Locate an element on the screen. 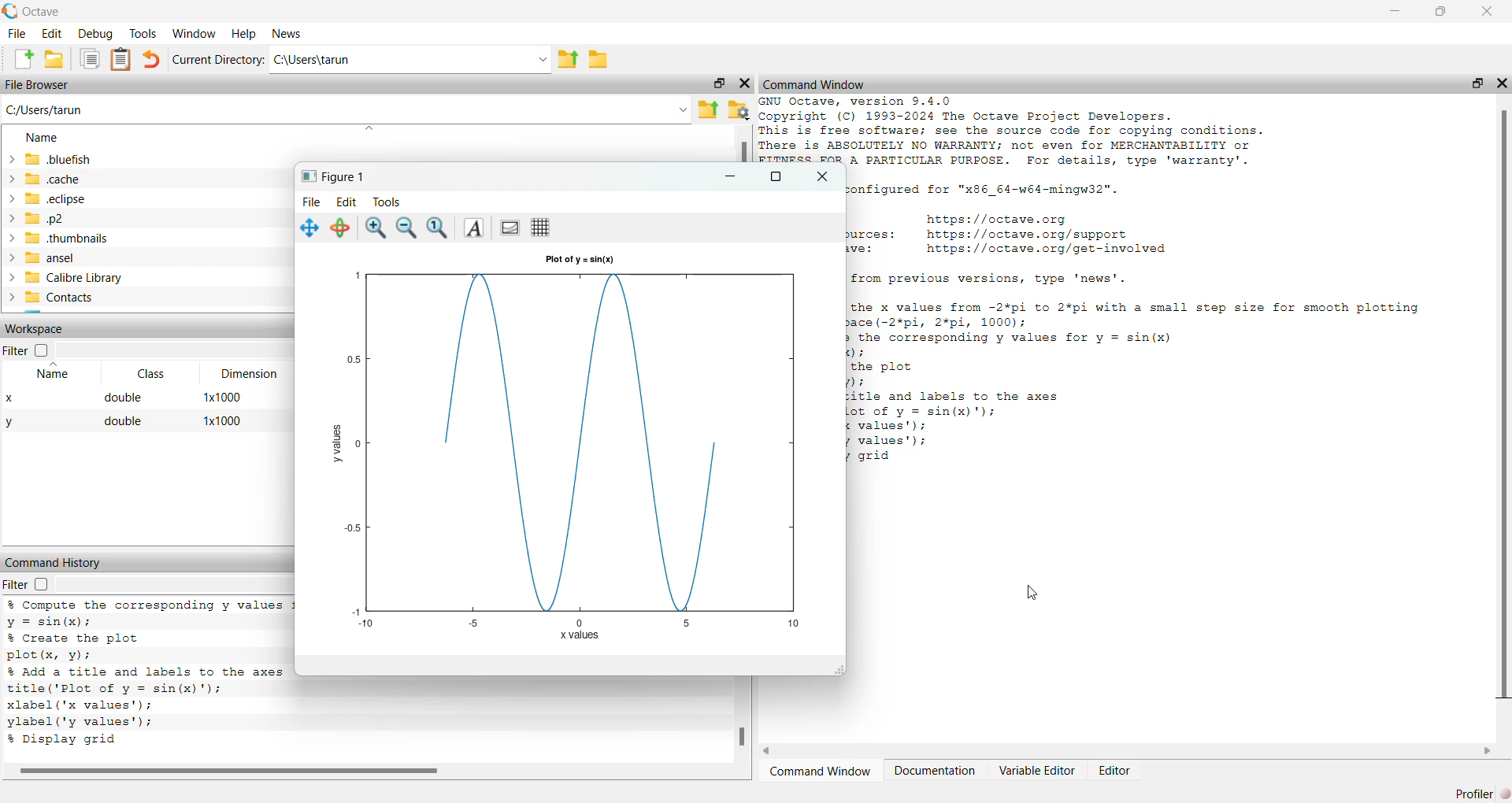  cursor is located at coordinates (1033, 593).